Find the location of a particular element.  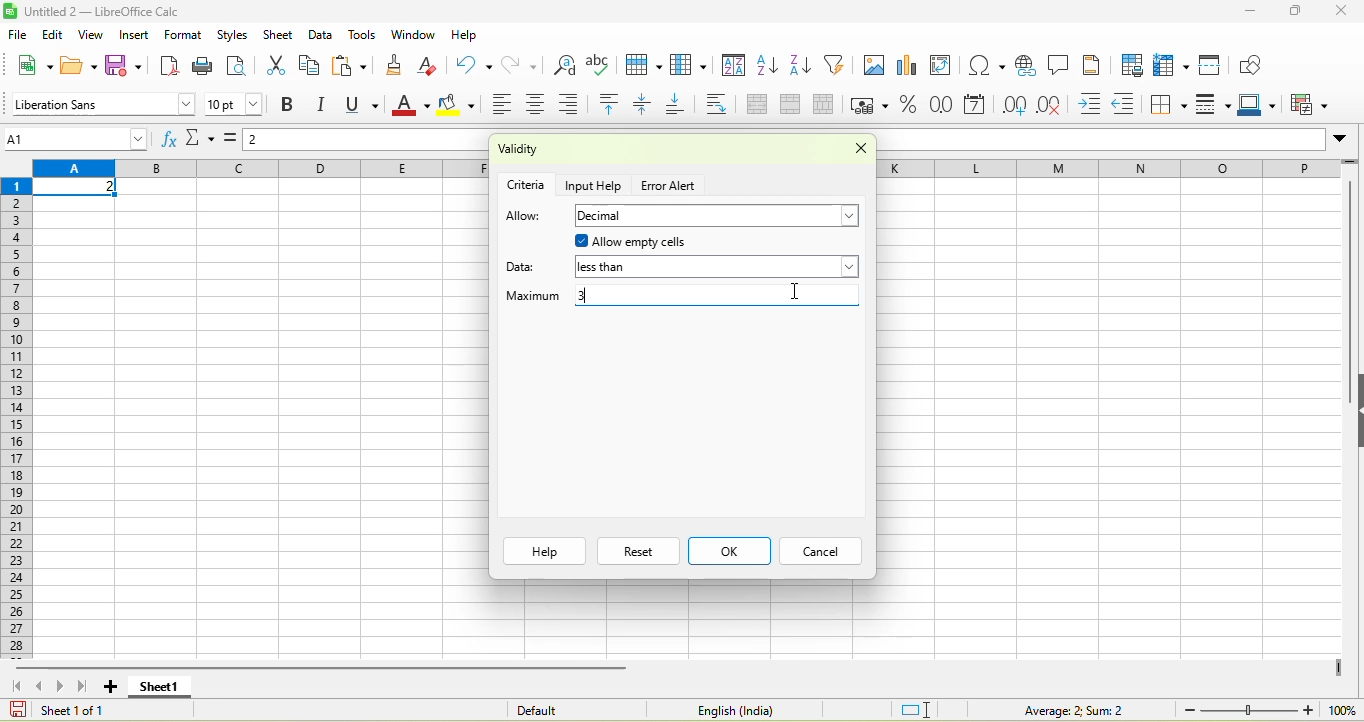

print preview is located at coordinates (239, 67).